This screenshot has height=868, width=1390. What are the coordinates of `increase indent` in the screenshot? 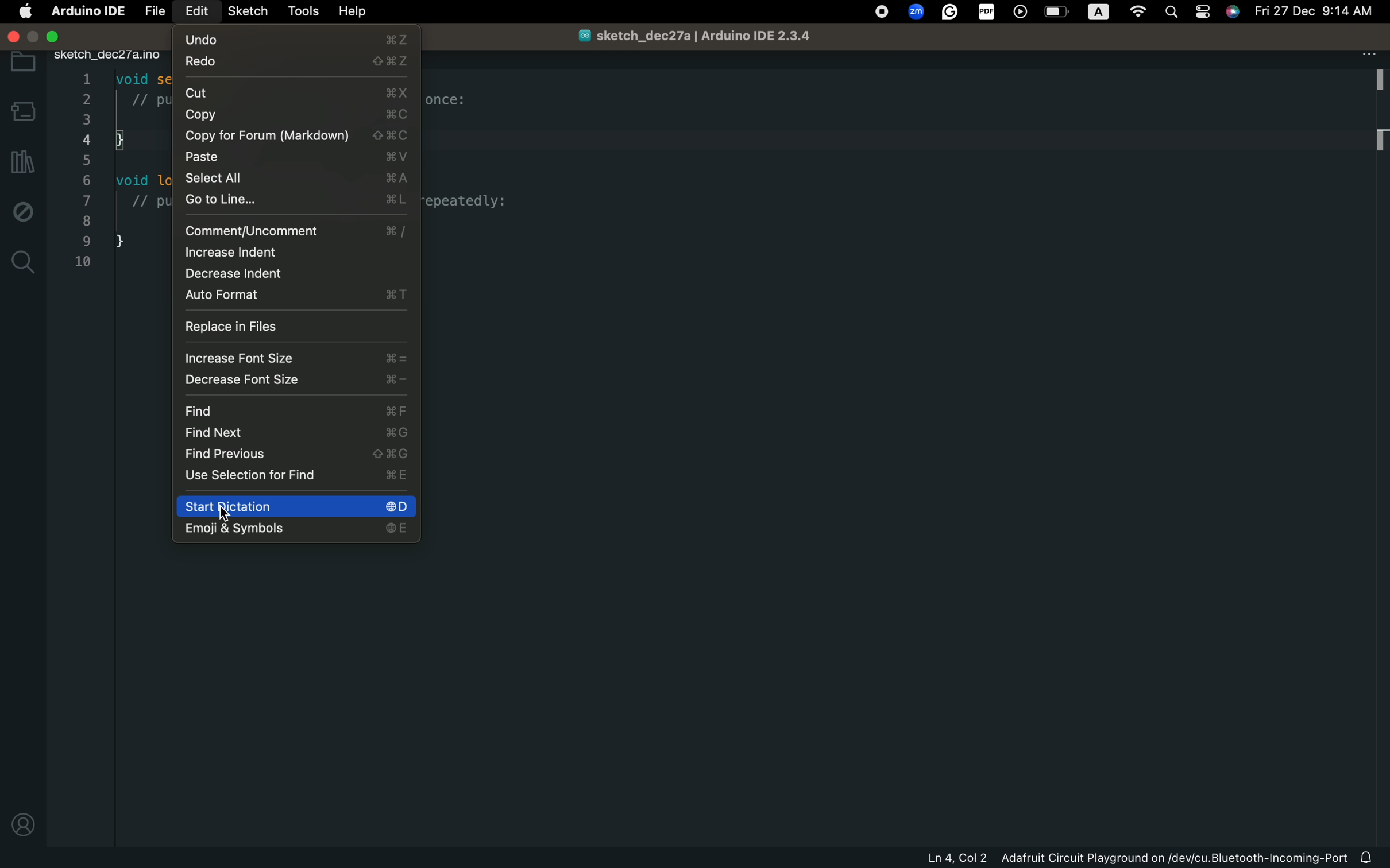 It's located at (291, 253).